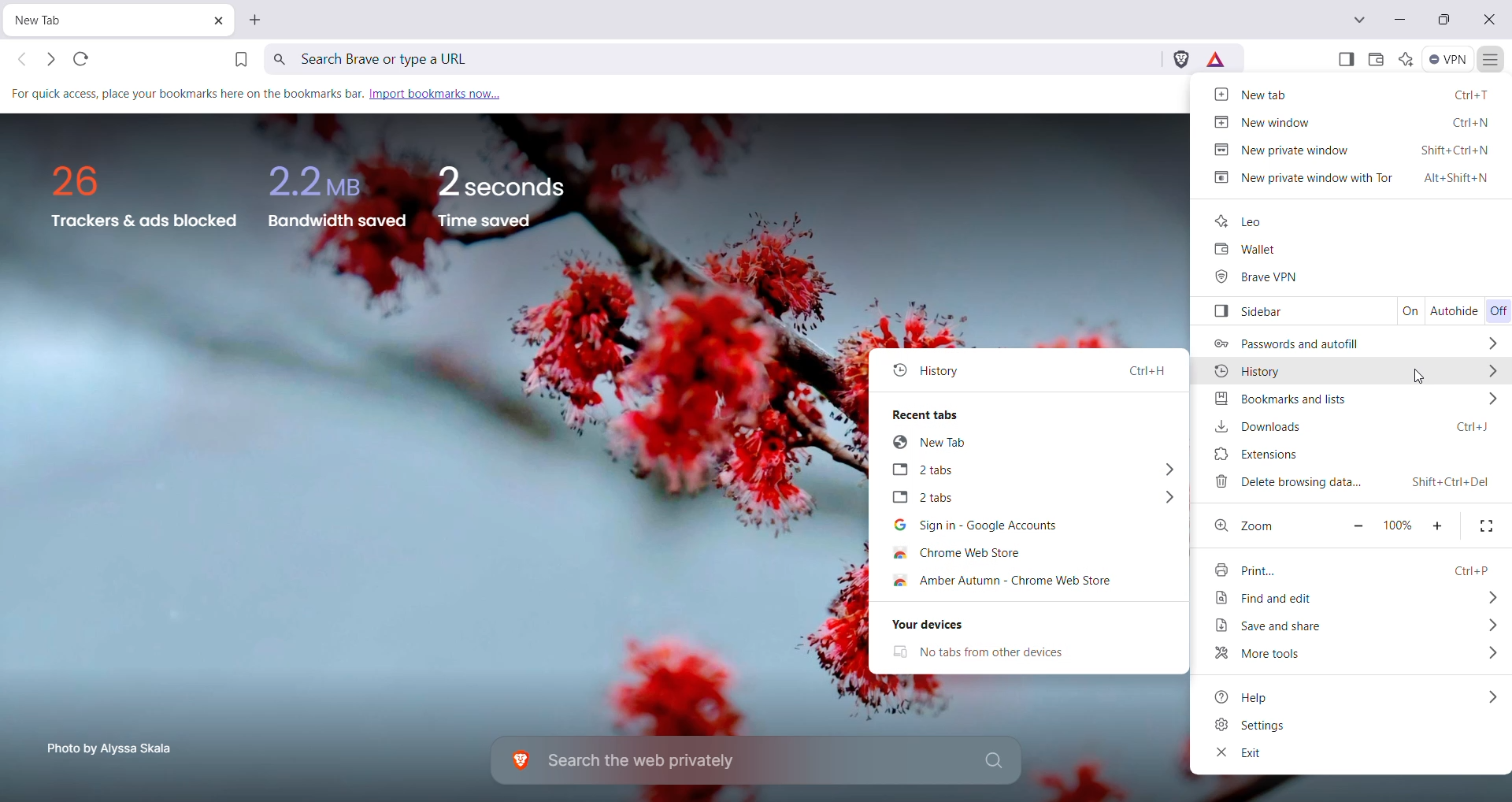 This screenshot has width=1512, height=802. What do you see at coordinates (1266, 278) in the screenshot?
I see `Brave VPN` at bounding box center [1266, 278].